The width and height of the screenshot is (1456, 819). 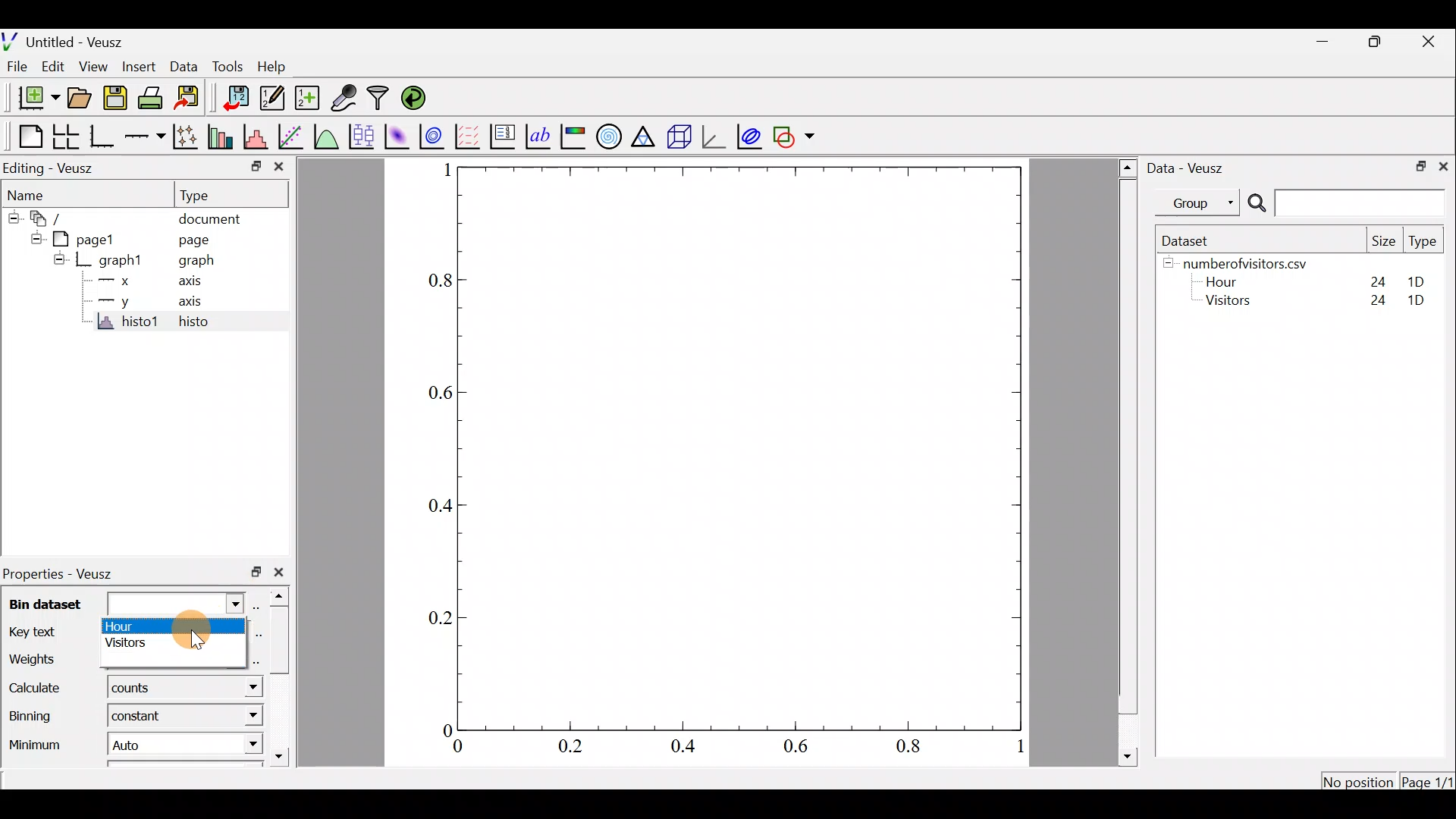 What do you see at coordinates (1426, 780) in the screenshot?
I see `Page1/1` at bounding box center [1426, 780].